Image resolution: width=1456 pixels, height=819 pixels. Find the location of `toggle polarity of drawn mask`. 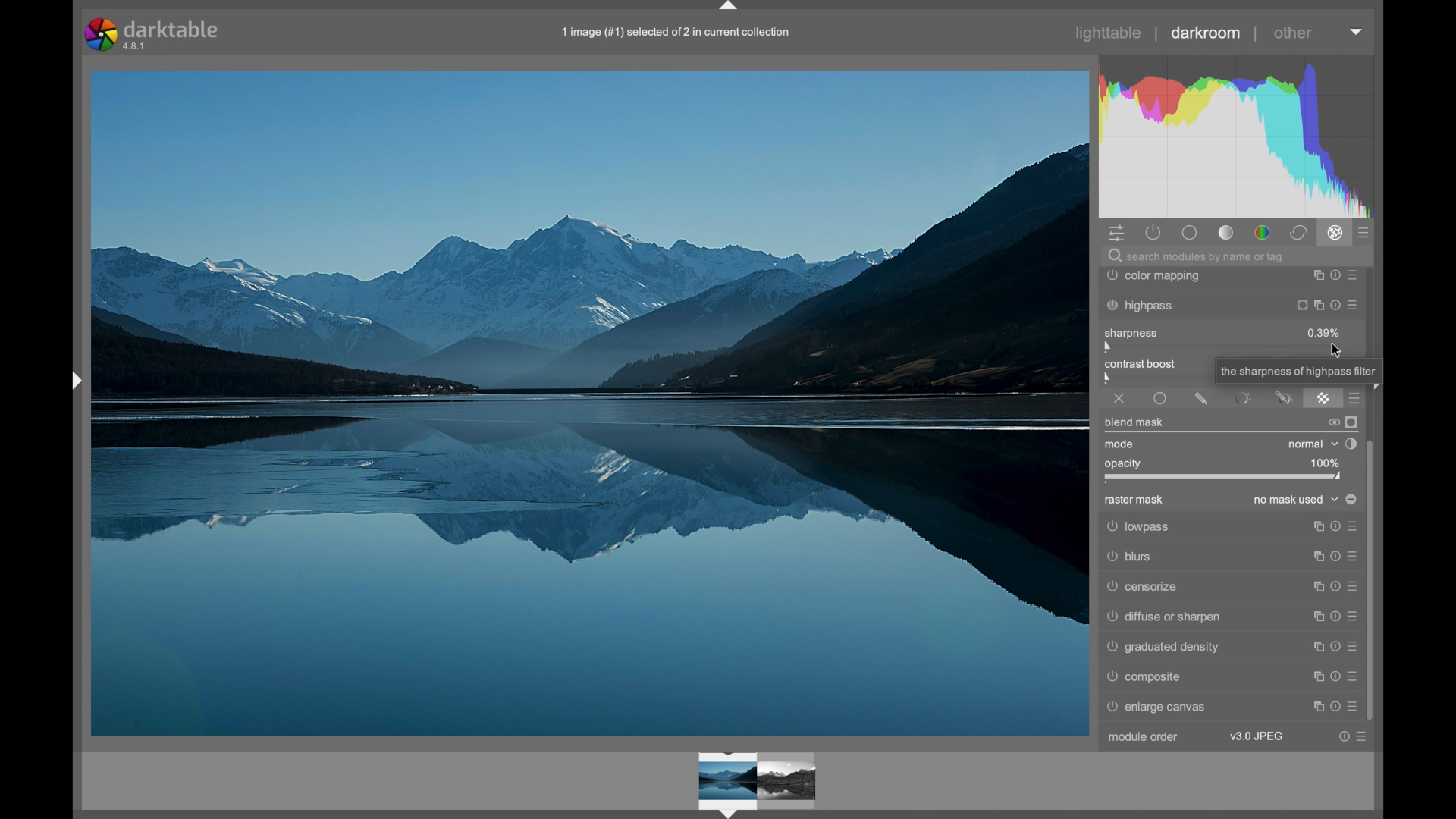

toggle polarity of drawn mask is located at coordinates (1351, 499).